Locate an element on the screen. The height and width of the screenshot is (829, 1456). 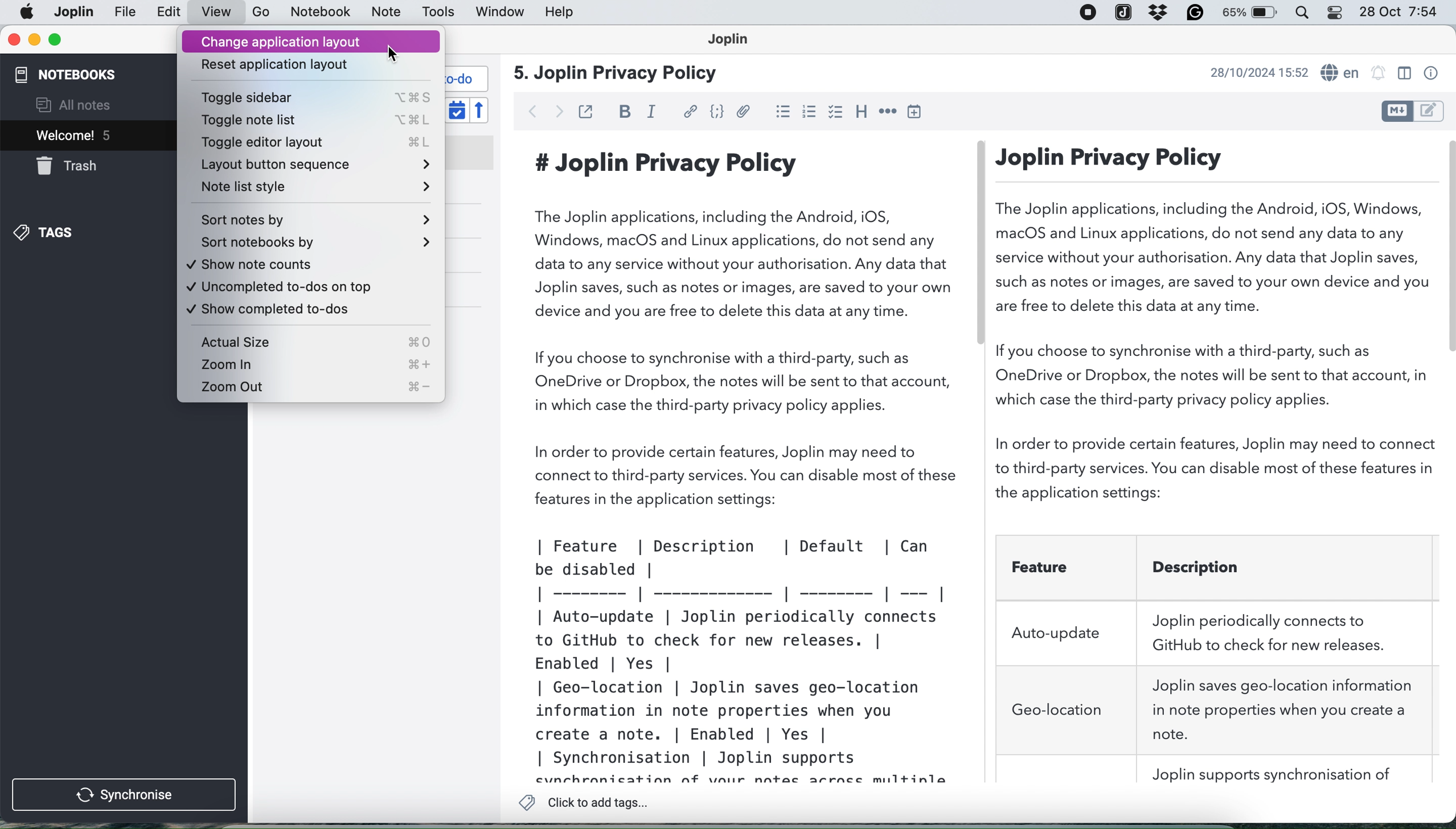
file is located at coordinates (72, 12).